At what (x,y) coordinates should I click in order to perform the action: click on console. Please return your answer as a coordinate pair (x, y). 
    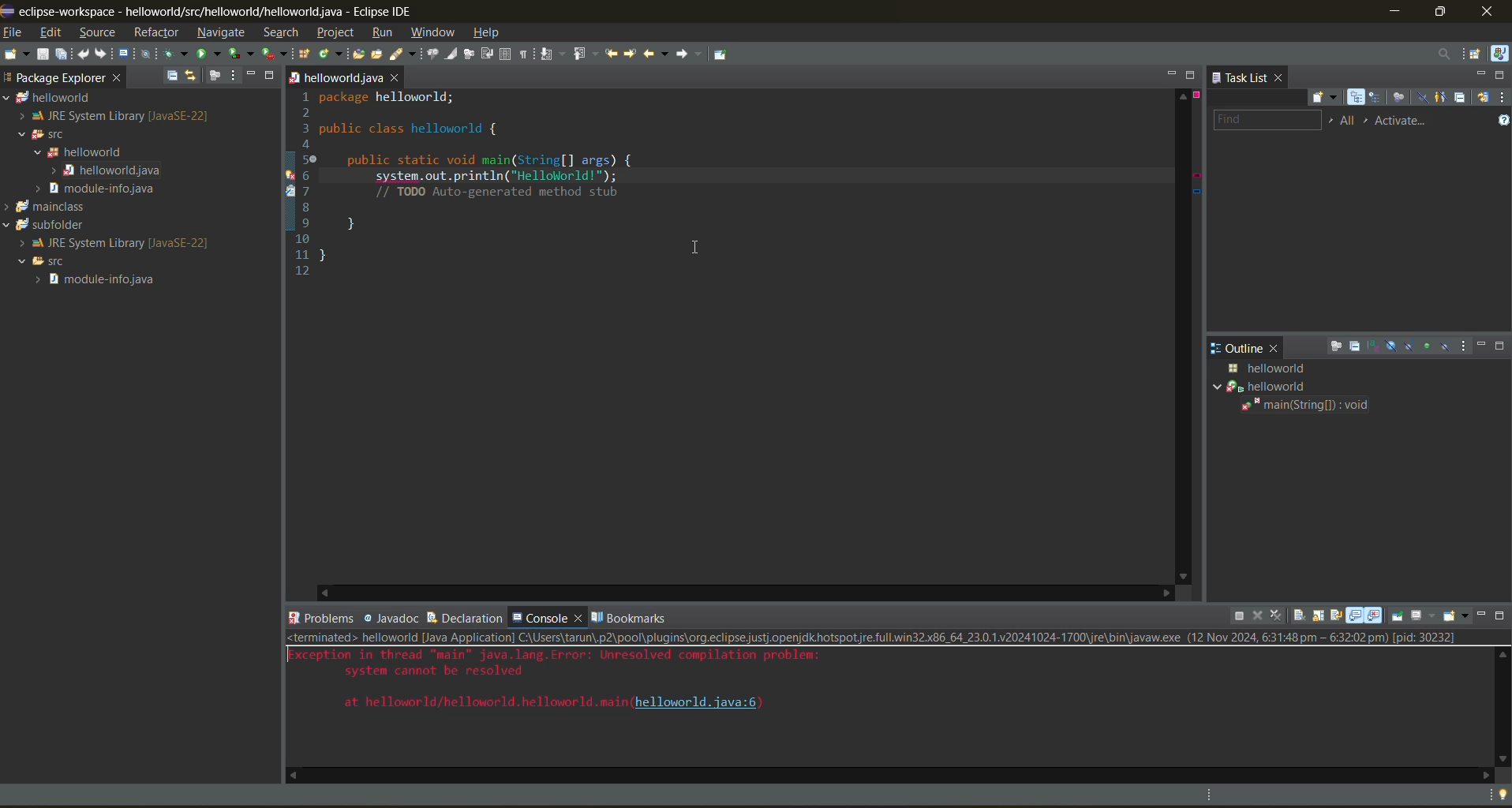
    Looking at the image, I should click on (551, 616).